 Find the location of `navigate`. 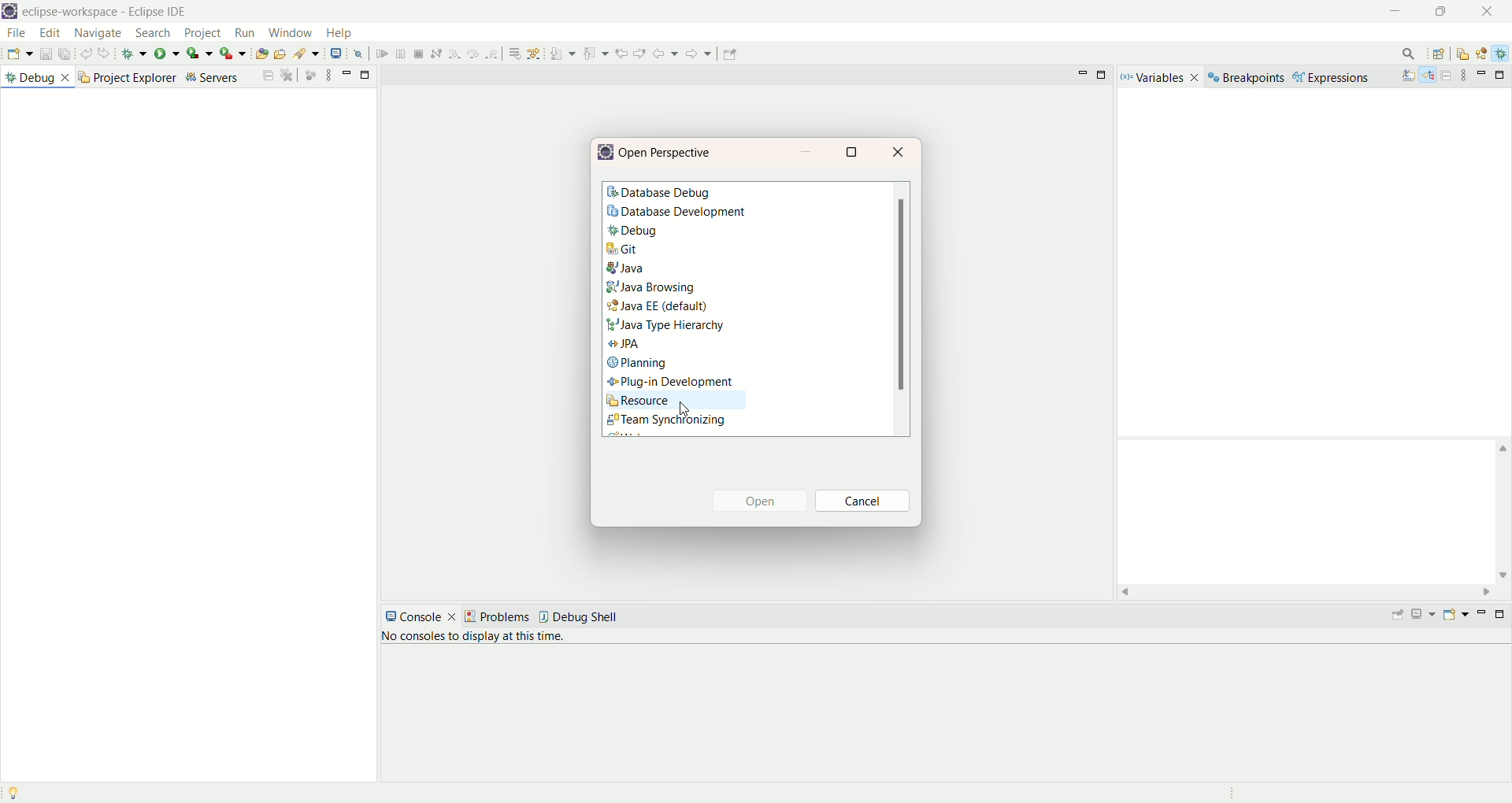

navigate is located at coordinates (100, 35).